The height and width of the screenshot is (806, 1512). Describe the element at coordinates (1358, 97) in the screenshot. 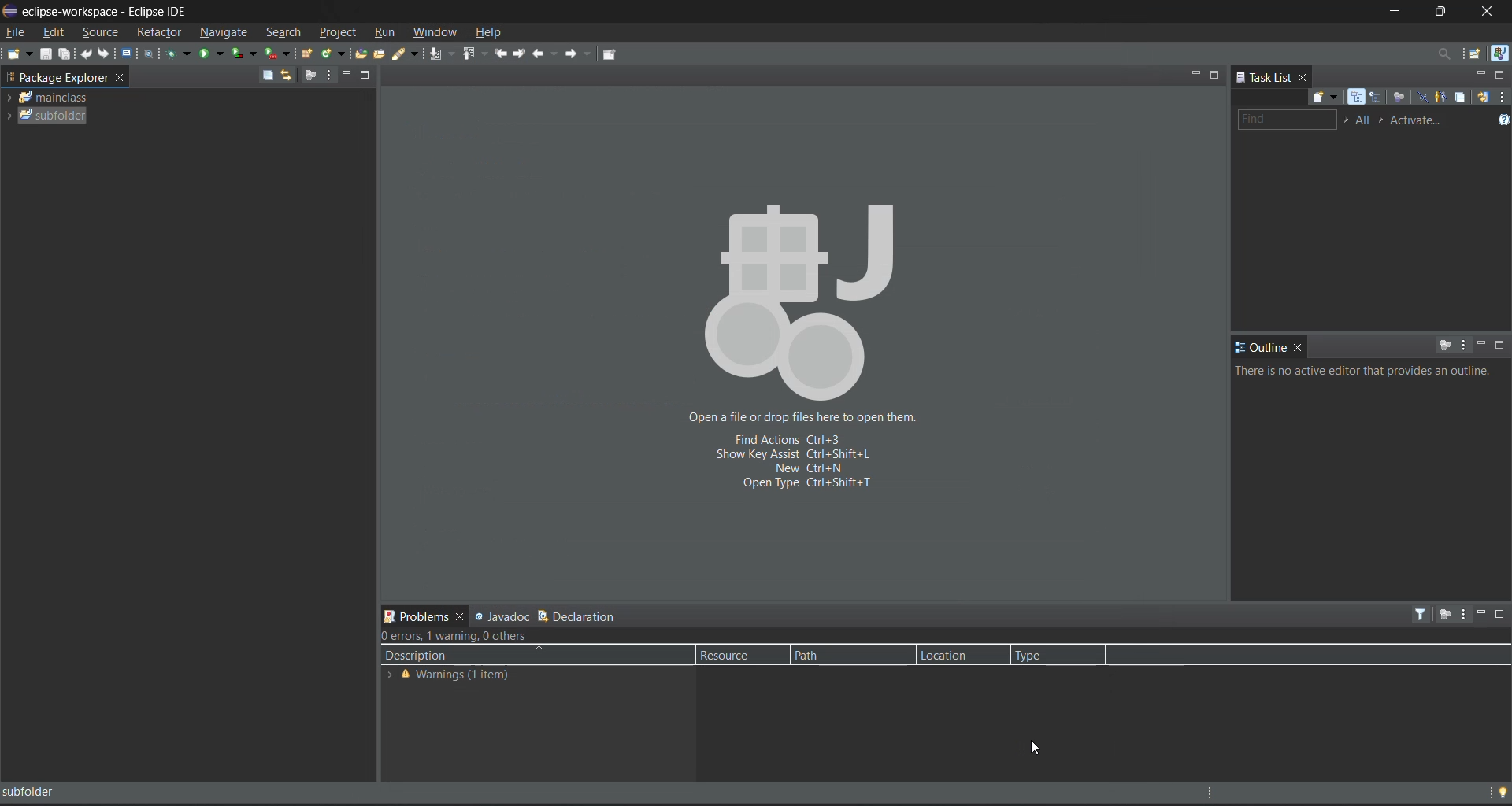

I see `categorized` at that location.